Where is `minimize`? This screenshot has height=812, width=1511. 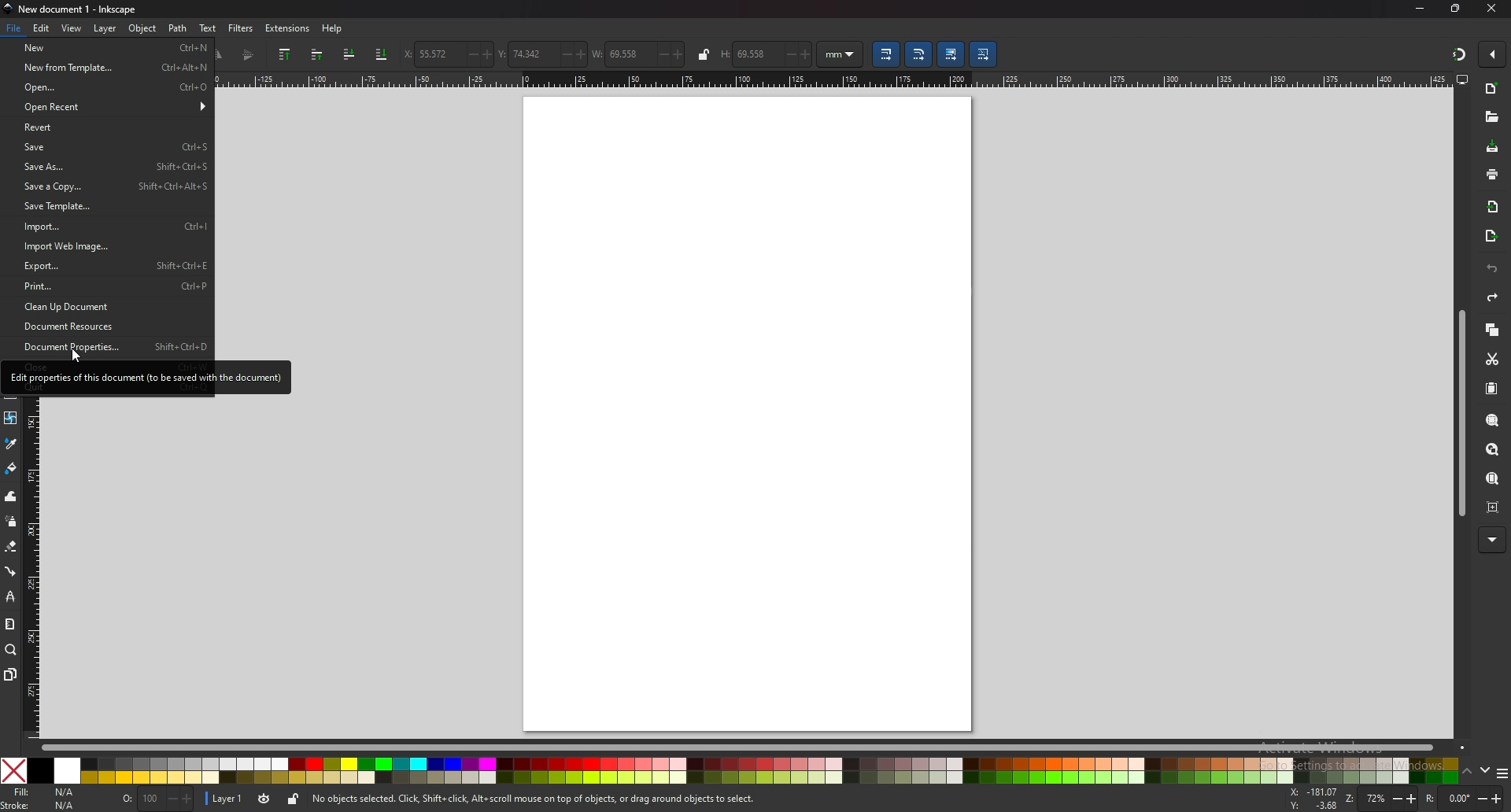 minimize is located at coordinates (1420, 8).